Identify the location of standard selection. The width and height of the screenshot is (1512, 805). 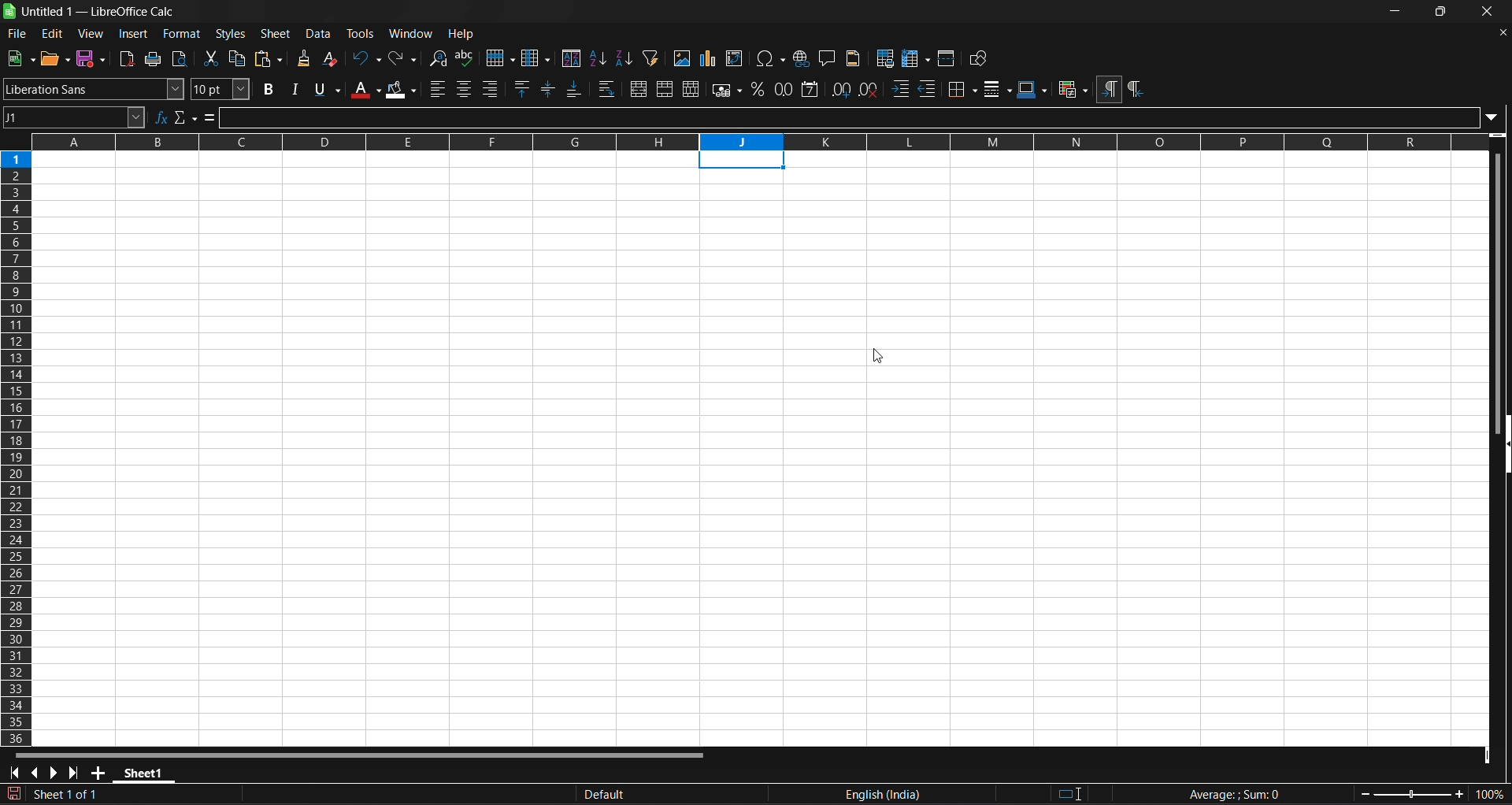
(1077, 793).